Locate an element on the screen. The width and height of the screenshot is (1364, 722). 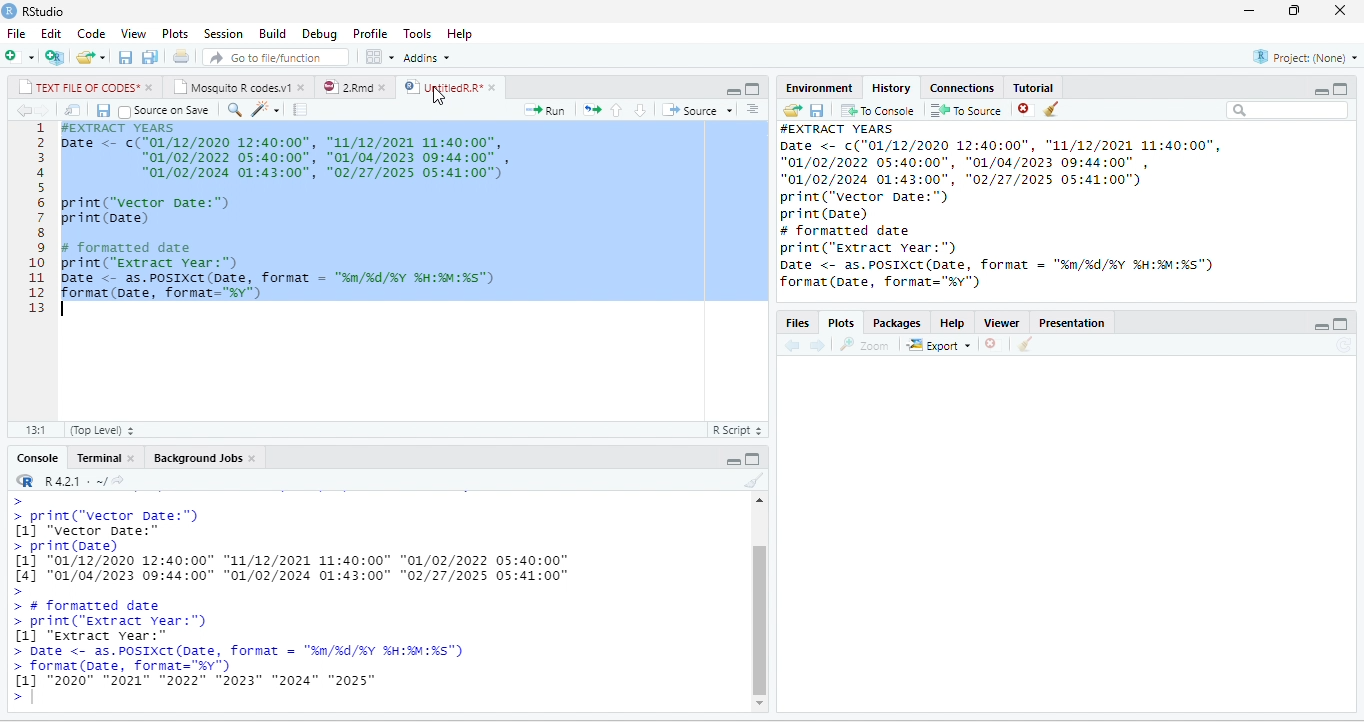
minimize is located at coordinates (1250, 11).